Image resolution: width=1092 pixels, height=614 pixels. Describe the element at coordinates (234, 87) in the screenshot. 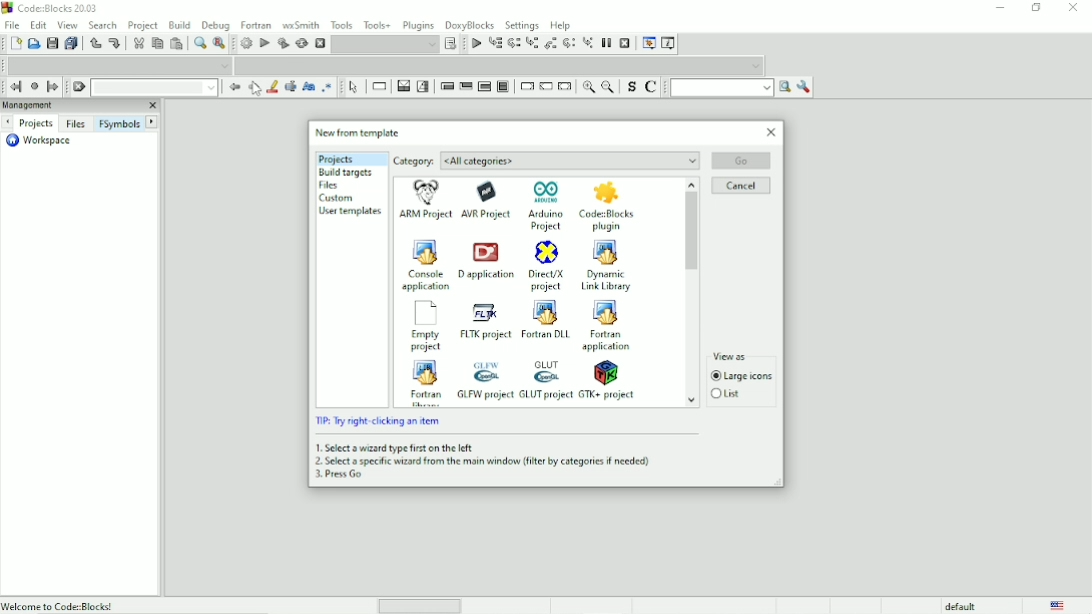

I see `Prev` at that location.